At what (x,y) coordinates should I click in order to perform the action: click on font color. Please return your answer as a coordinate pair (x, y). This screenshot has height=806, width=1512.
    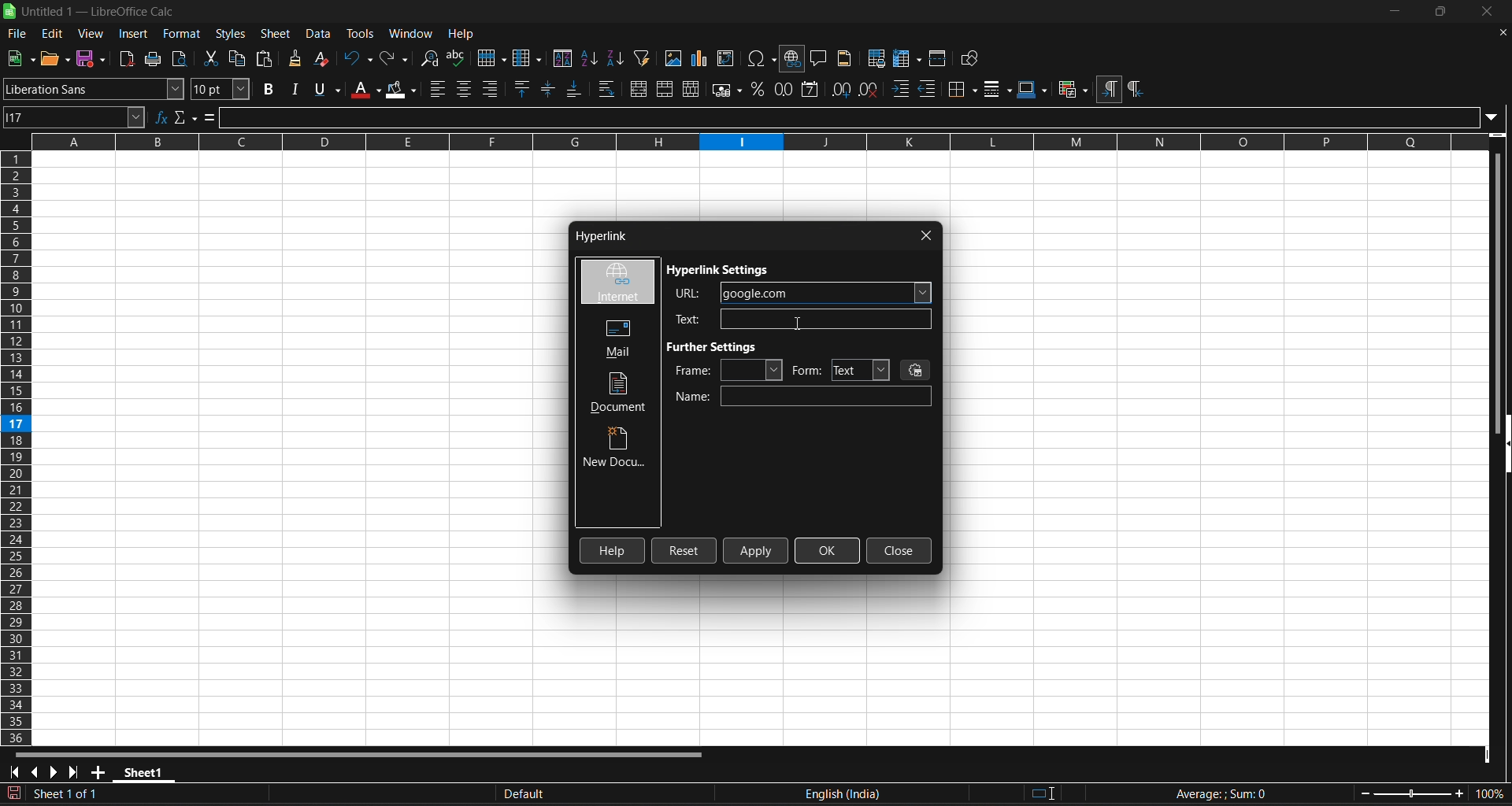
    Looking at the image, I should click on (365, 89).